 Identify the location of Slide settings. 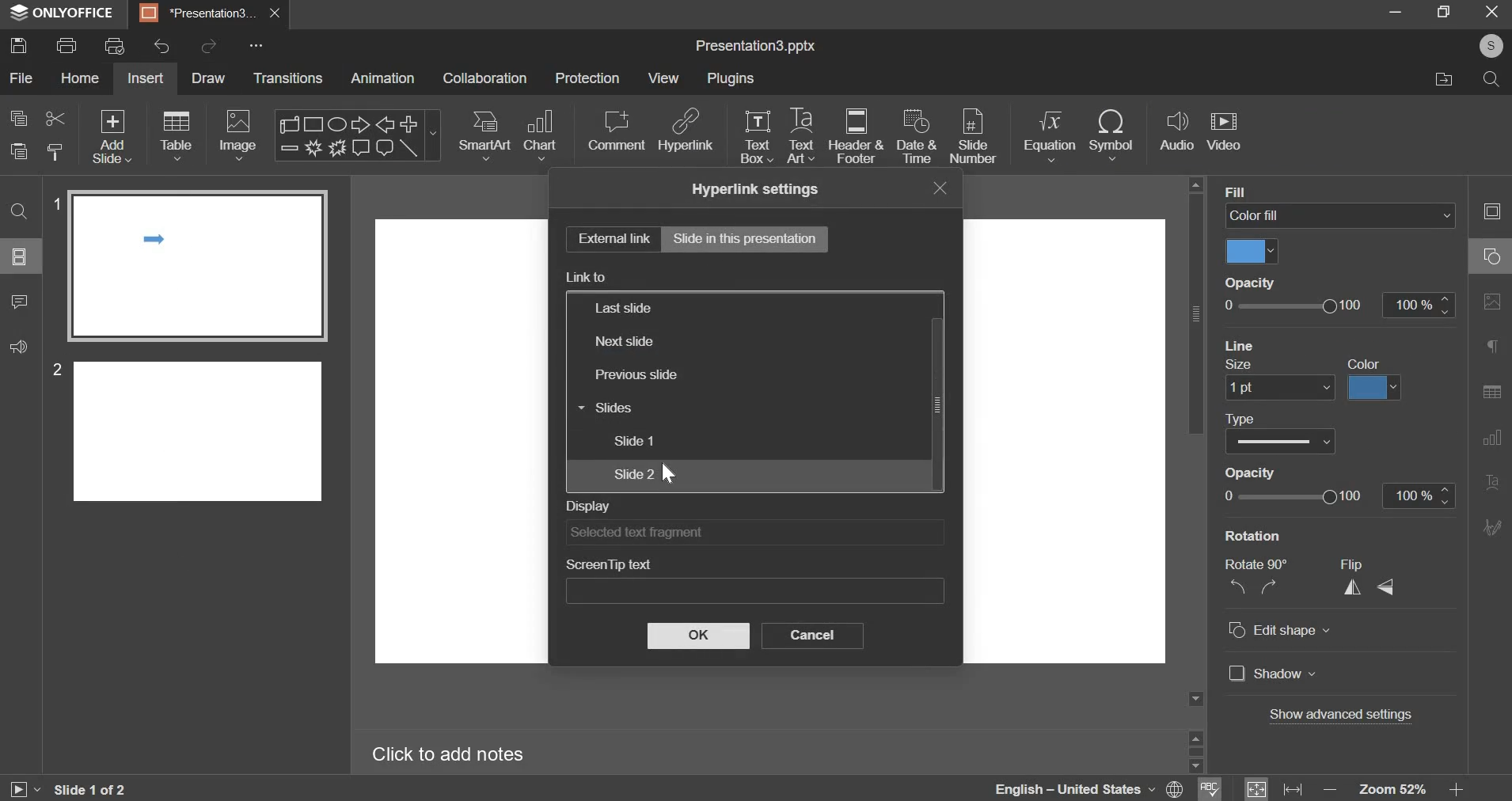
(1491, 211).